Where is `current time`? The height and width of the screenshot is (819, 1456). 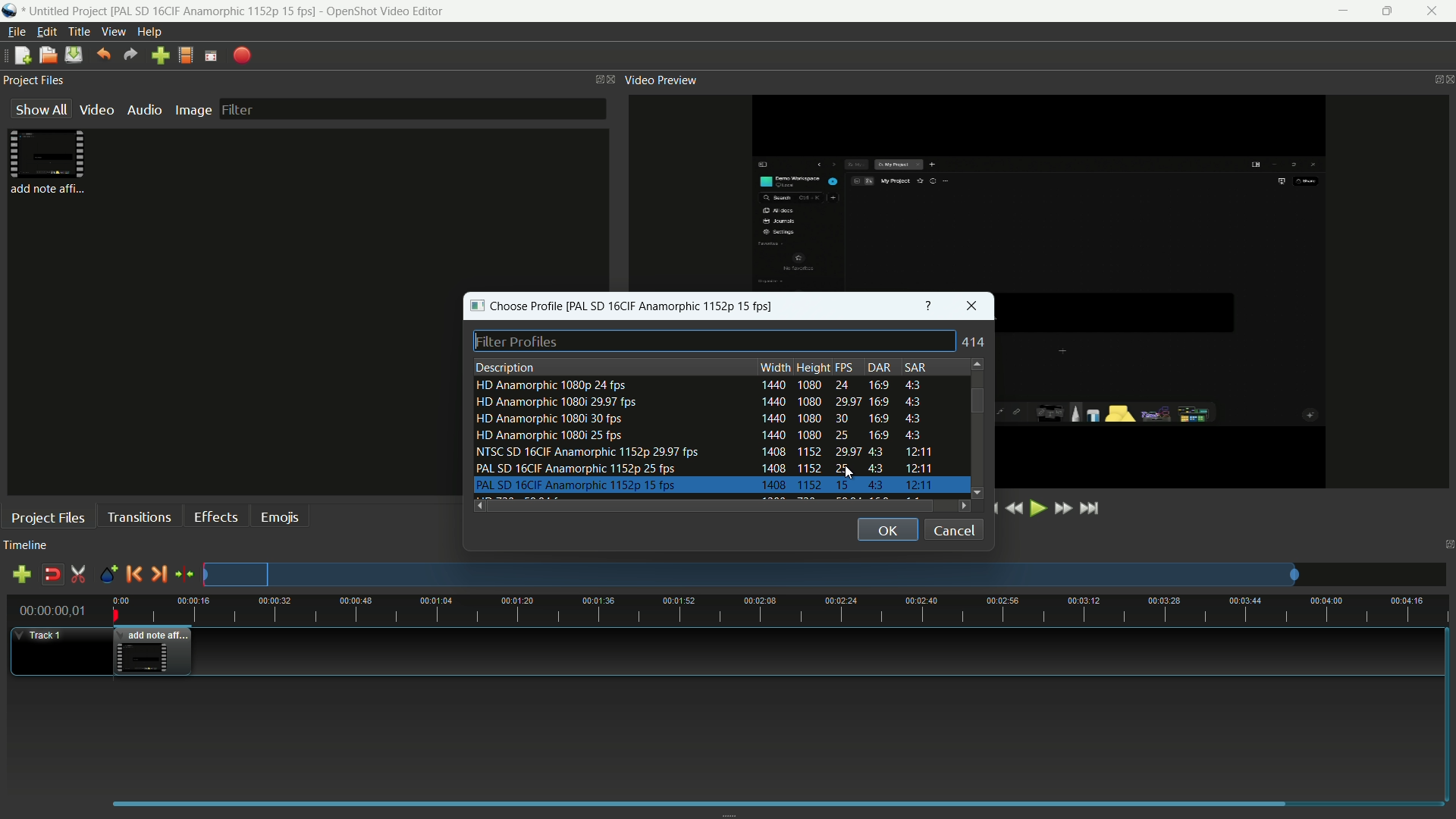 current time is located at coordinates (49, 612).